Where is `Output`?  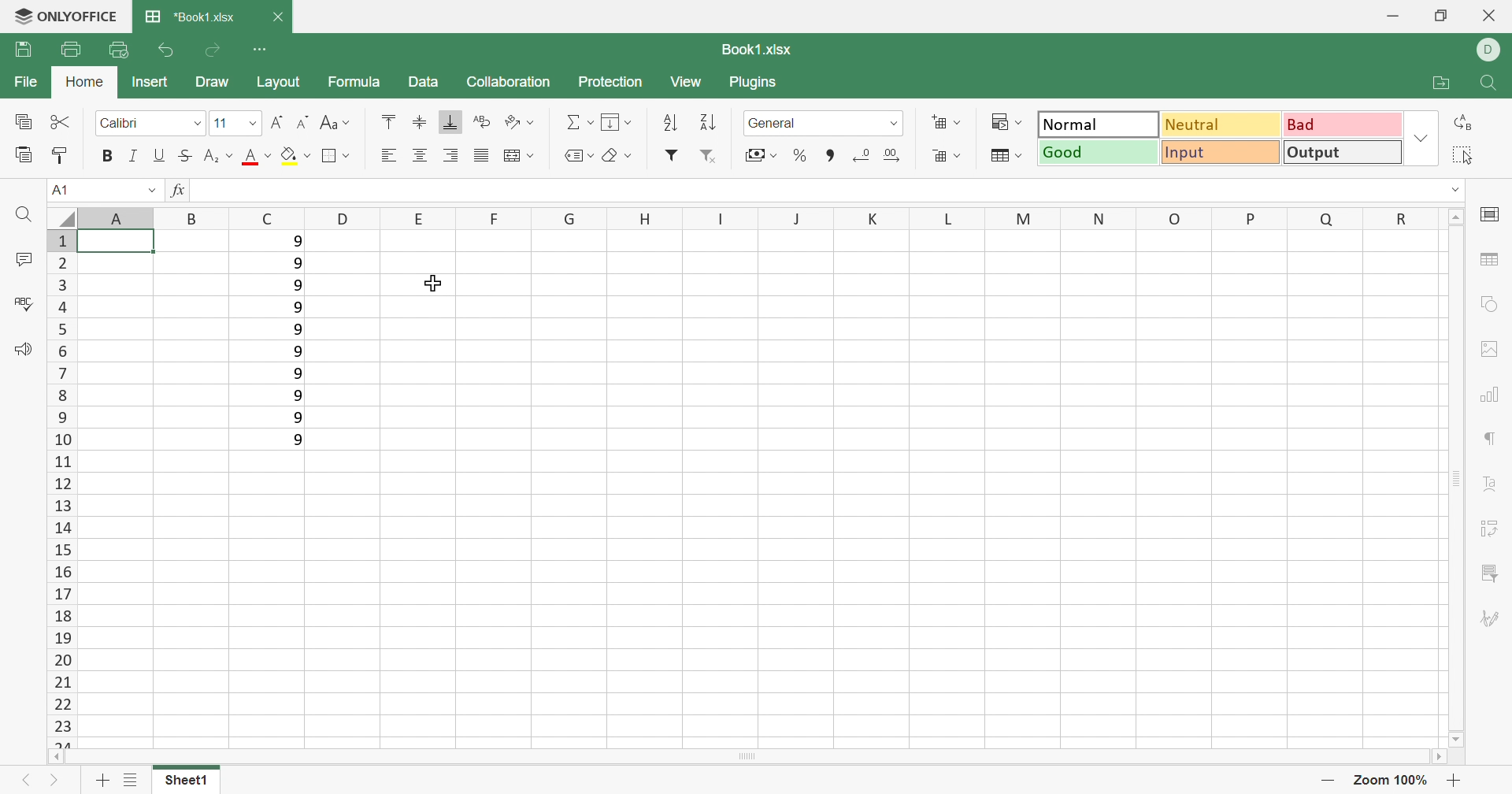
Output is located at coordinates (1341, 153).